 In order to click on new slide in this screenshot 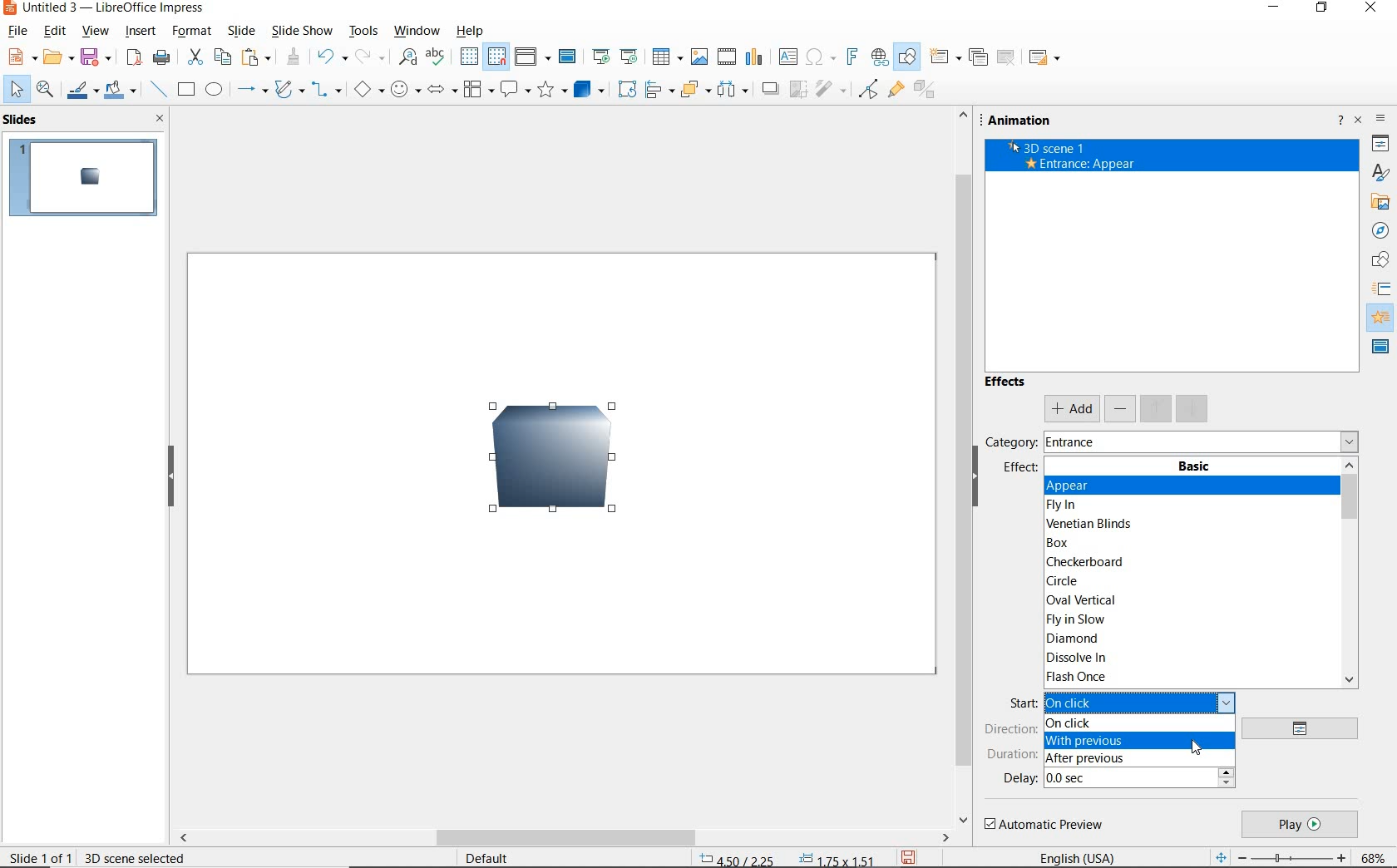, I will do `click(945, 58)`.